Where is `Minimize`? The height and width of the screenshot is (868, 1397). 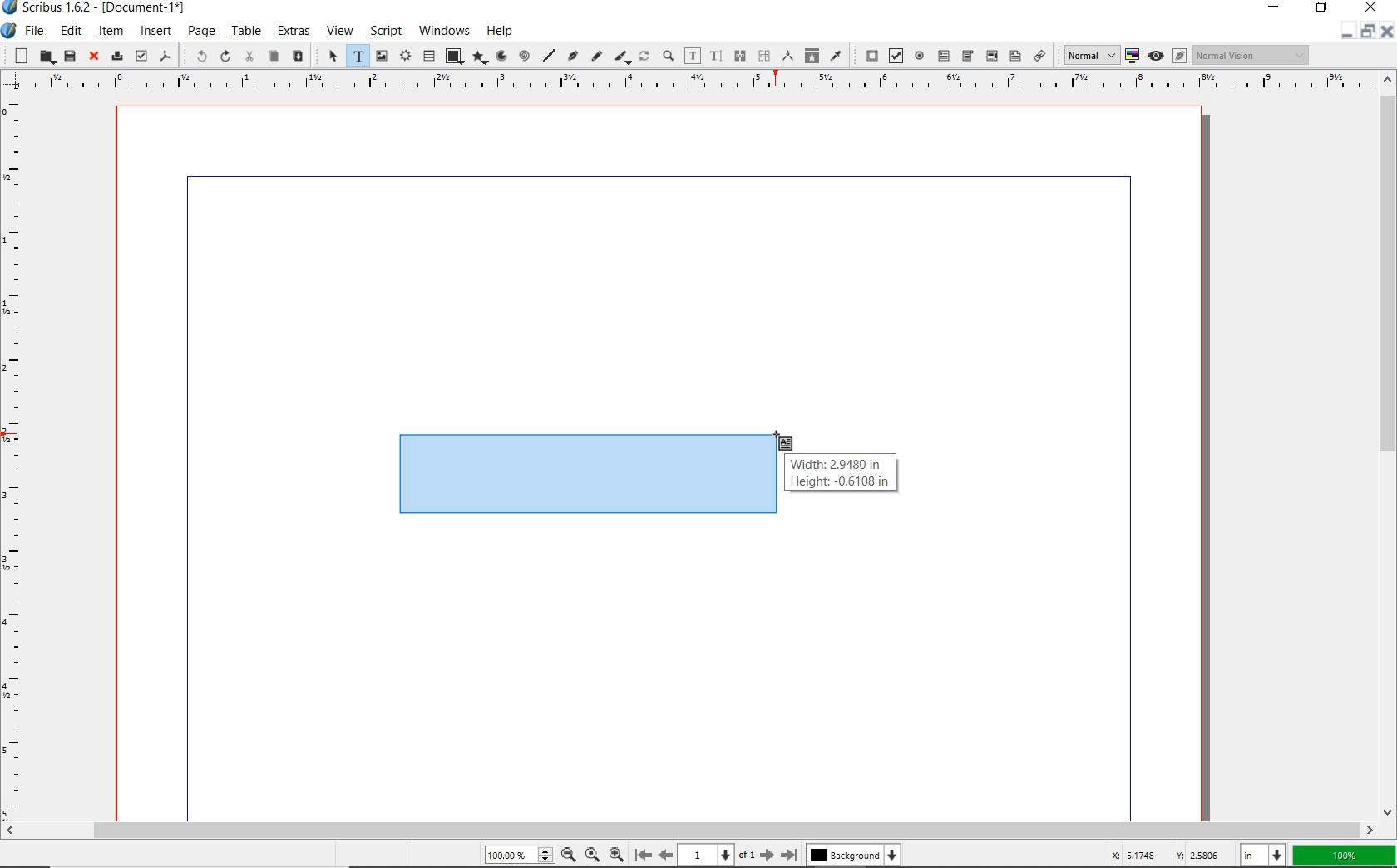 Minimize is located at coordinates (1366, 32).